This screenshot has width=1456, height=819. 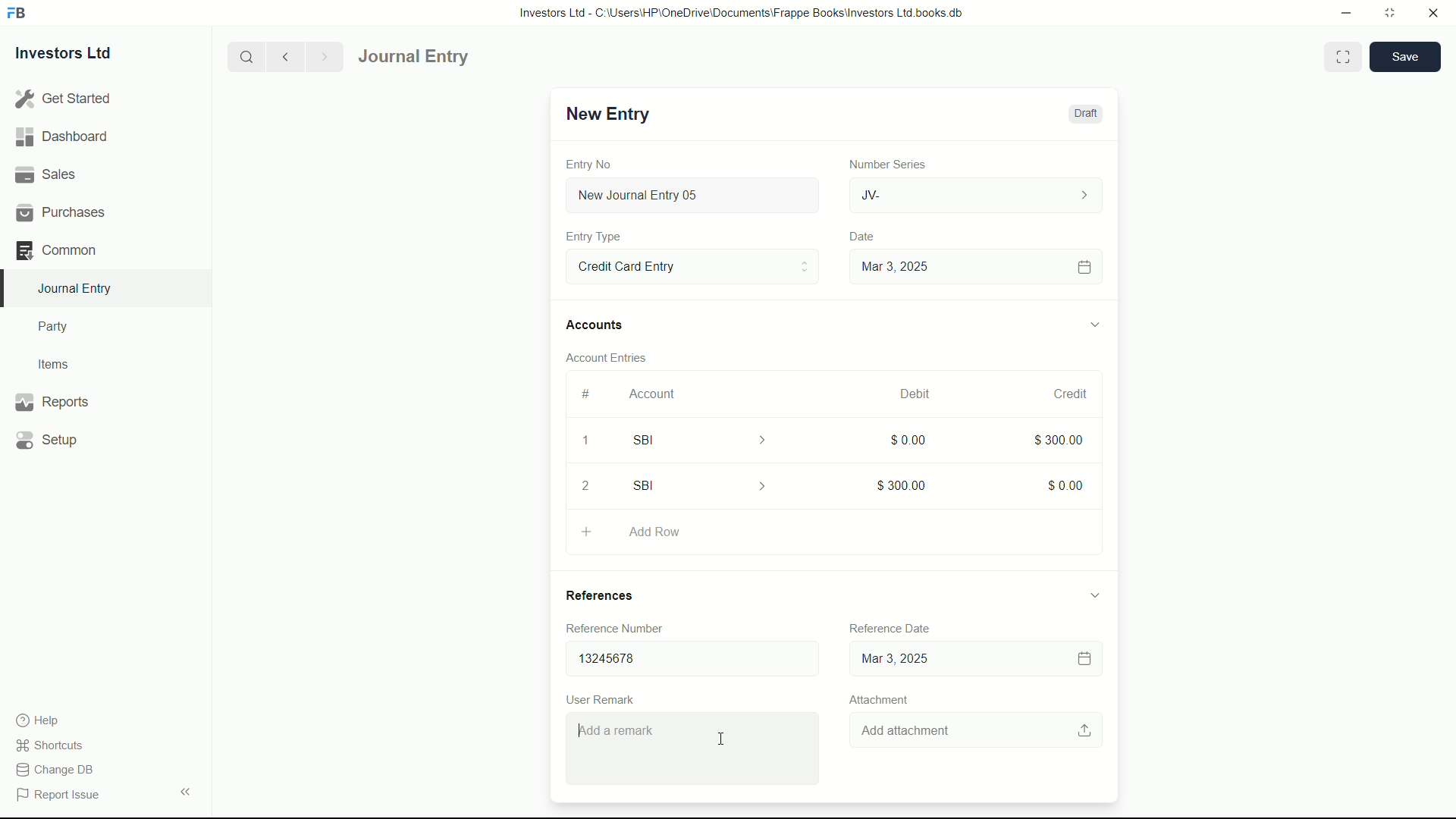 What do you see at coordinates (743, 12) in the screenshot?
I see `Investors Ltd - C:\Users\HP\OneDrive\Documents\Frappe Books\Investors Ltd books.db` at bounding box center [743, 12].